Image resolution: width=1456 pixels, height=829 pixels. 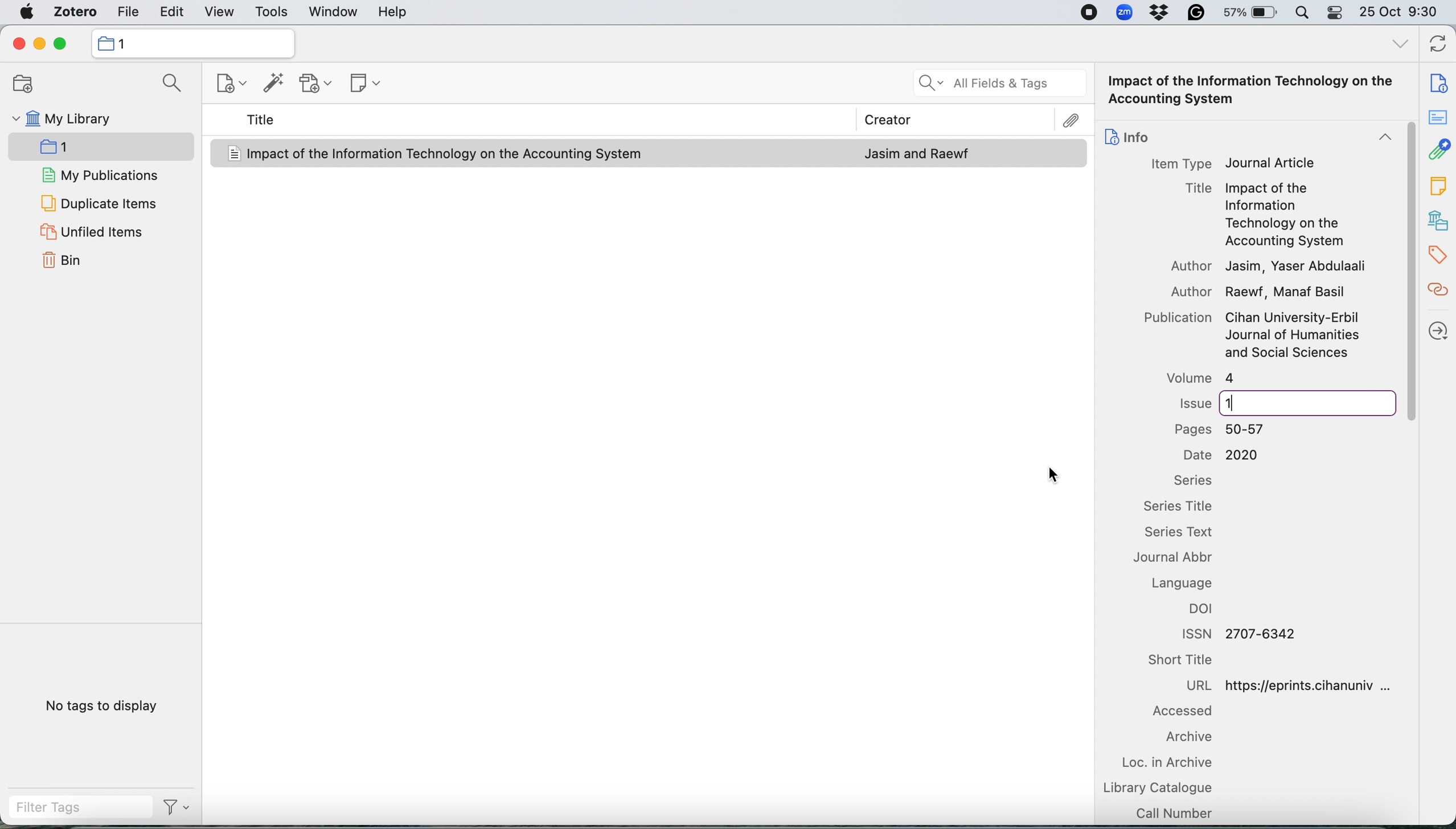 I want to click on series, so click(x=1191, y=480).